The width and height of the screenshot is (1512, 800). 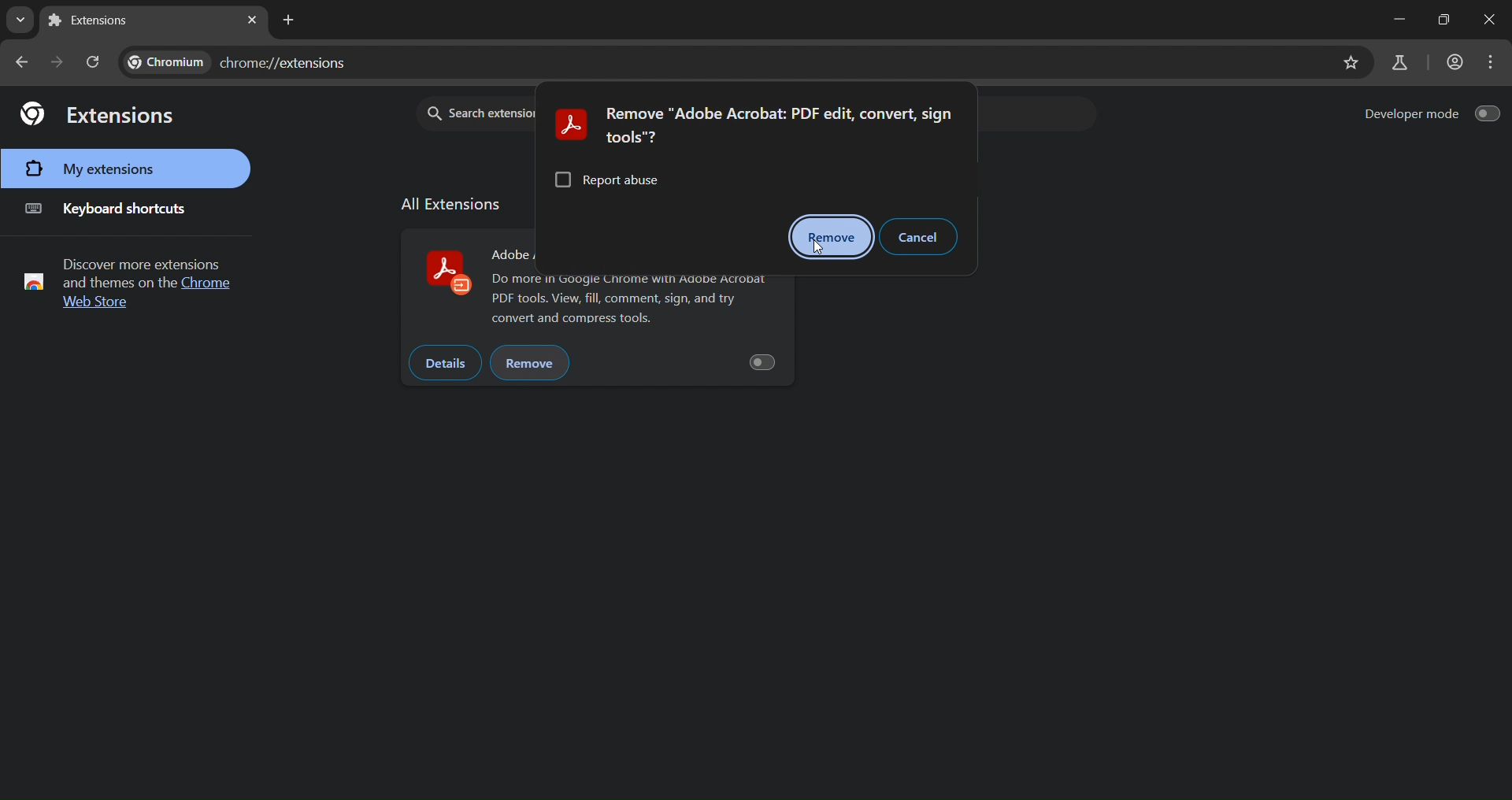 I want to click on current tab, so click(x=109, y=20).